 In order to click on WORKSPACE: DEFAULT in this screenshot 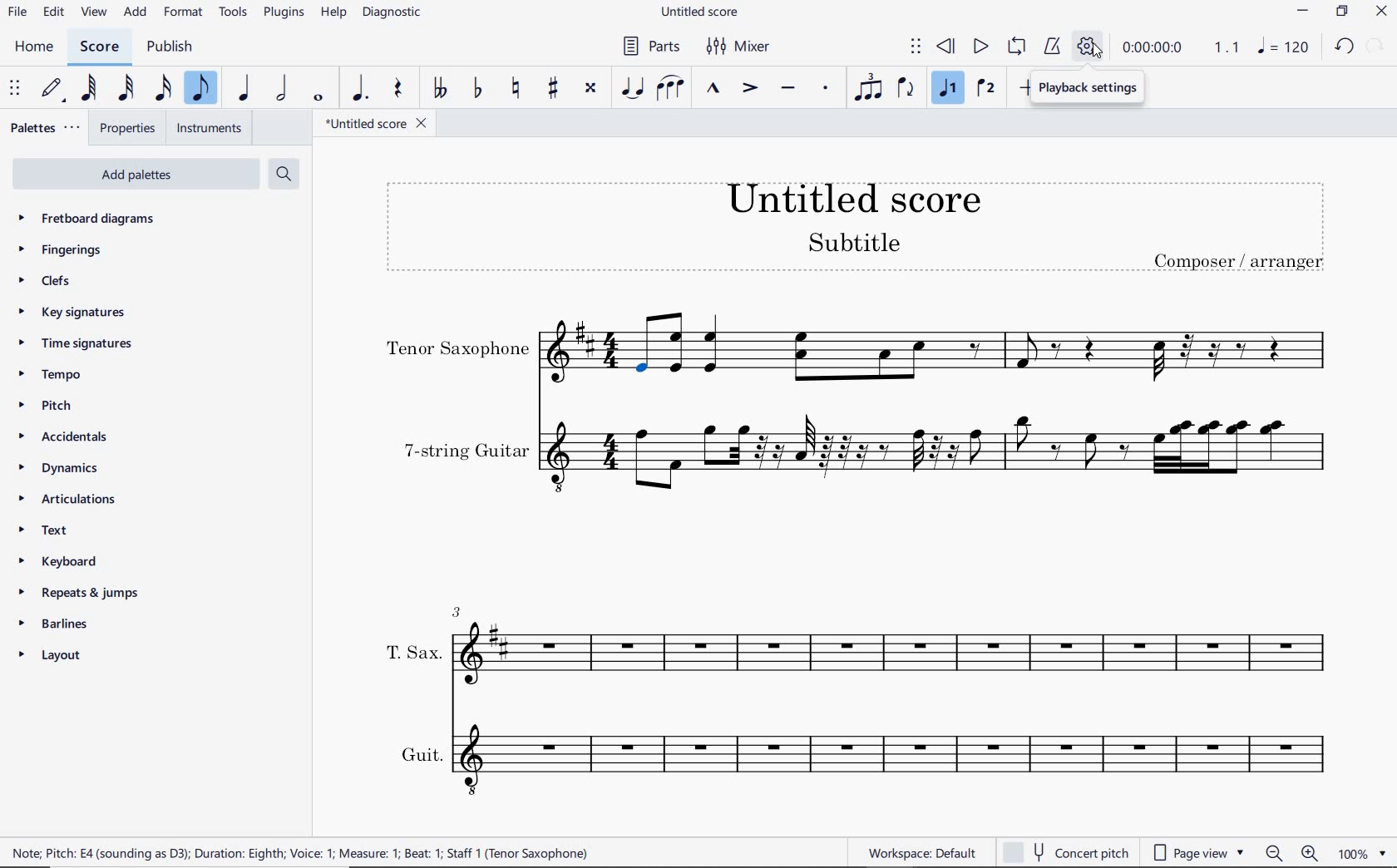, I will do `click(926, 851)`.